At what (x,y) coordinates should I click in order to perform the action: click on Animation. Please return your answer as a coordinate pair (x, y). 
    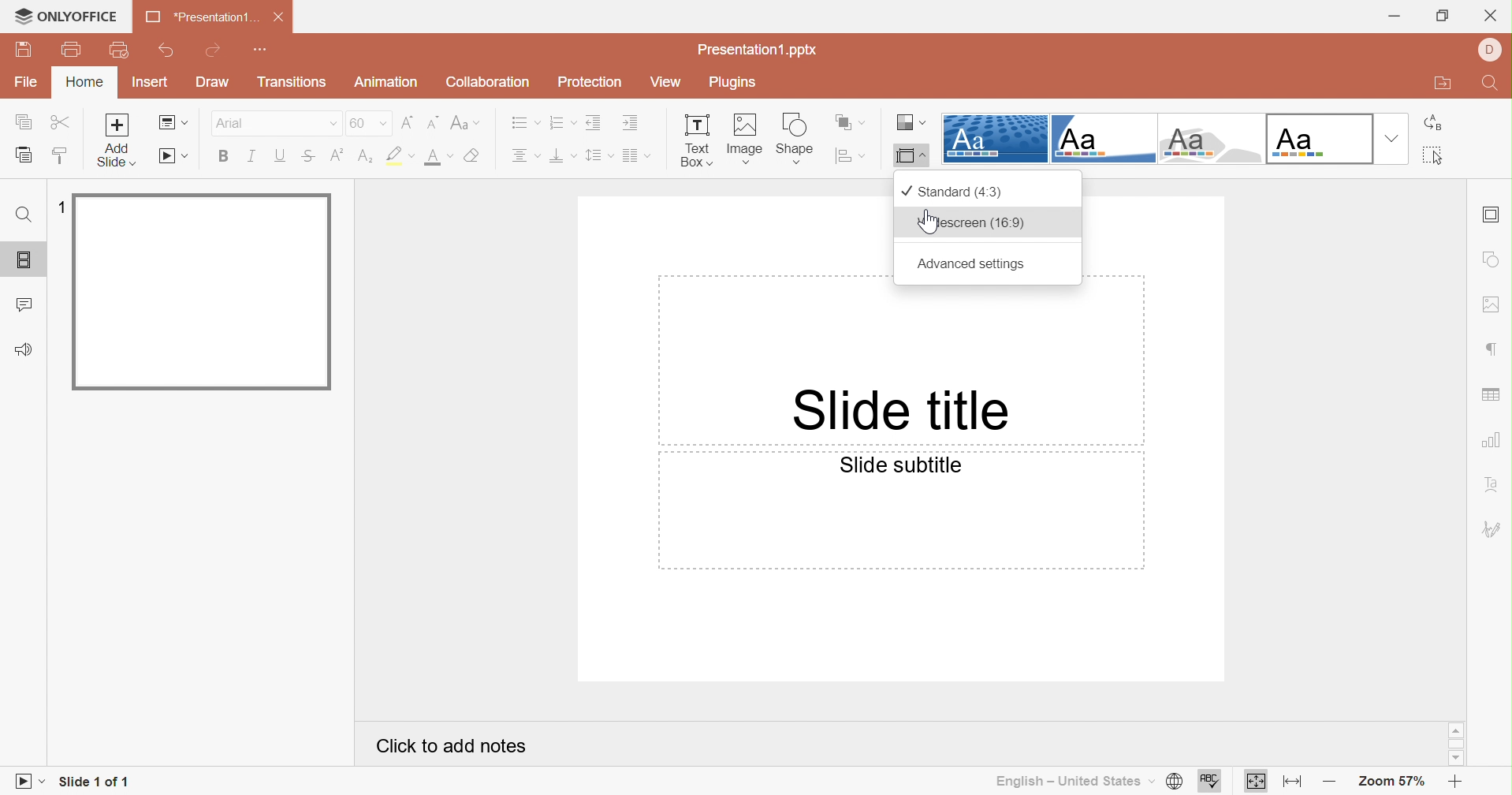
    Looking at the image, I should click on (385, 82).